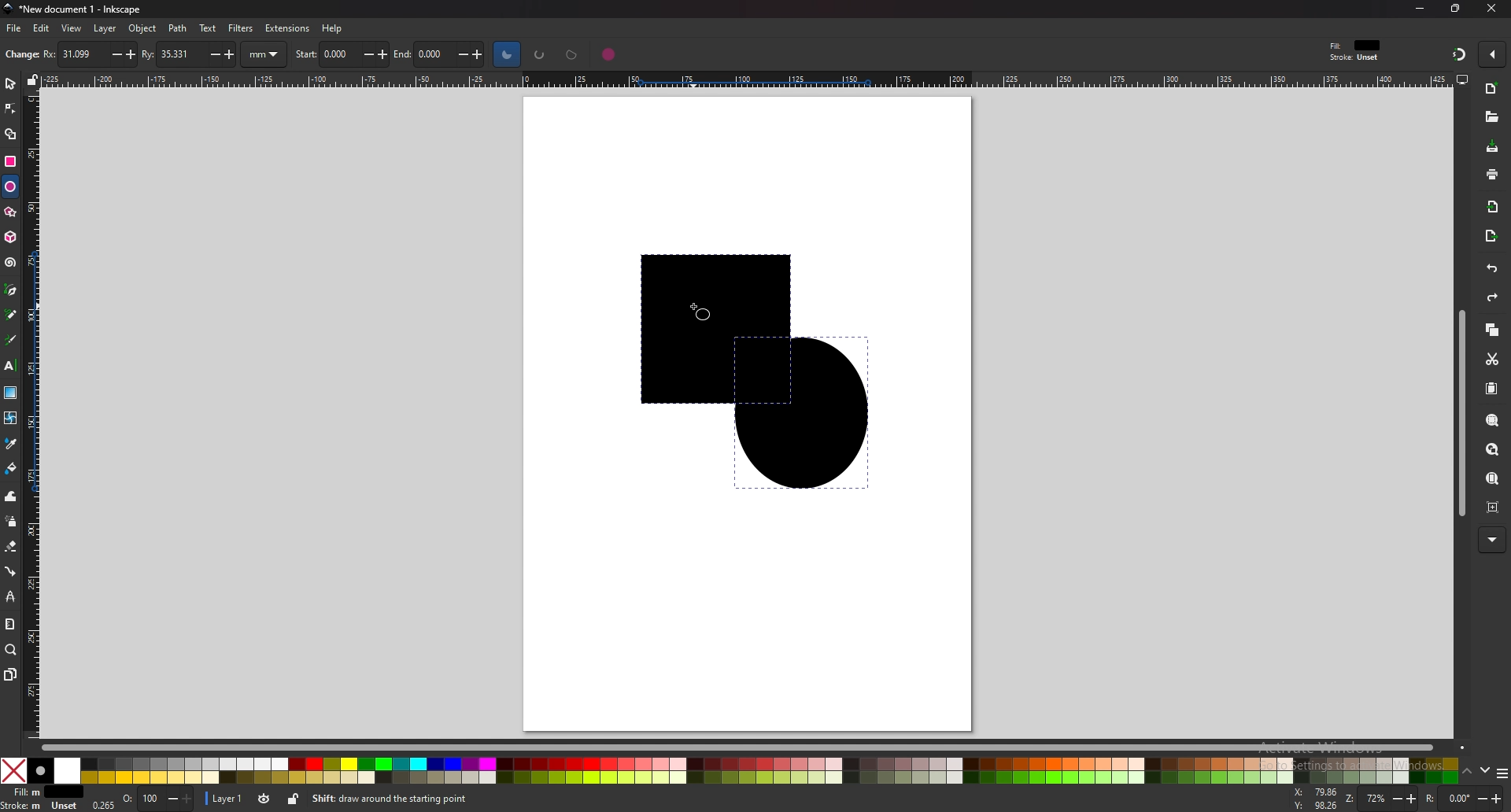 The image size is (1511, 812). What do you see at coordinates (1487, 773) in the screenshot?
I see `down` at bounding box center [1487, 773].